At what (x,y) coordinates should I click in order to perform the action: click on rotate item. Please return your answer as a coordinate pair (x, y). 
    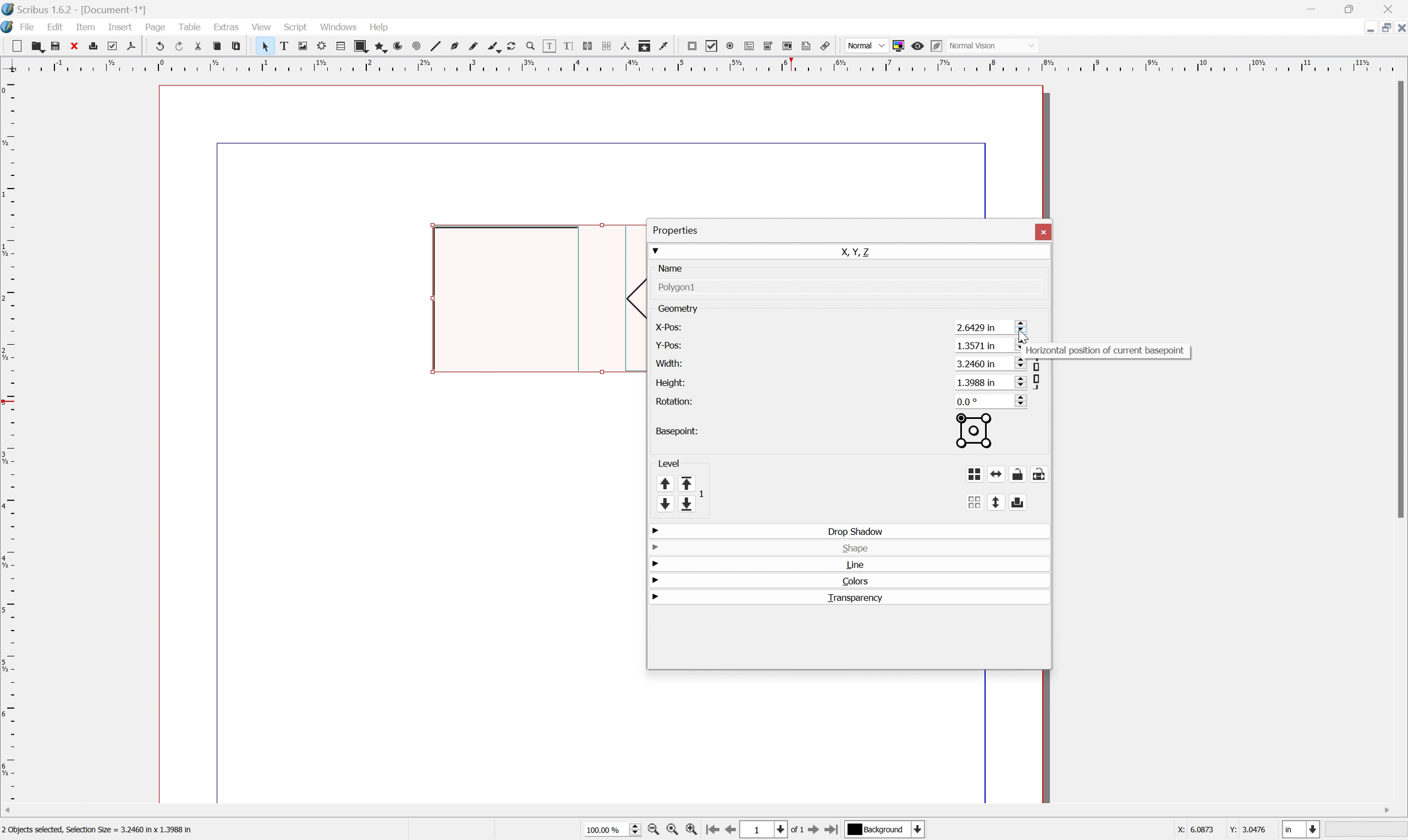
    Looking at the image, I should click on (510, 46).